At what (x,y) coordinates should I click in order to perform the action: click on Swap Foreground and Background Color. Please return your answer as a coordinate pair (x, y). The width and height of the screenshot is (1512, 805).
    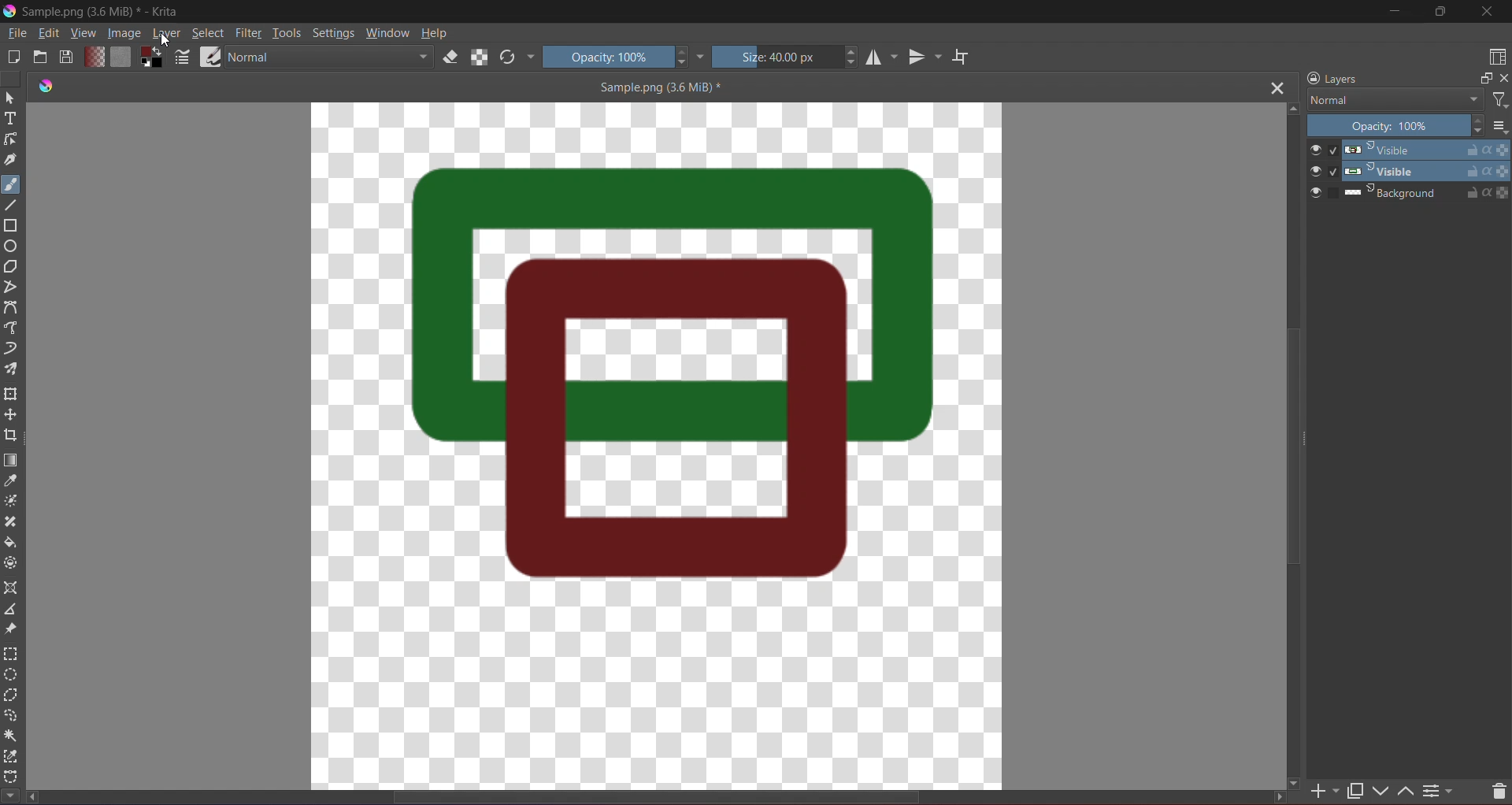
    Looking at the image, I should click on (151, 57).